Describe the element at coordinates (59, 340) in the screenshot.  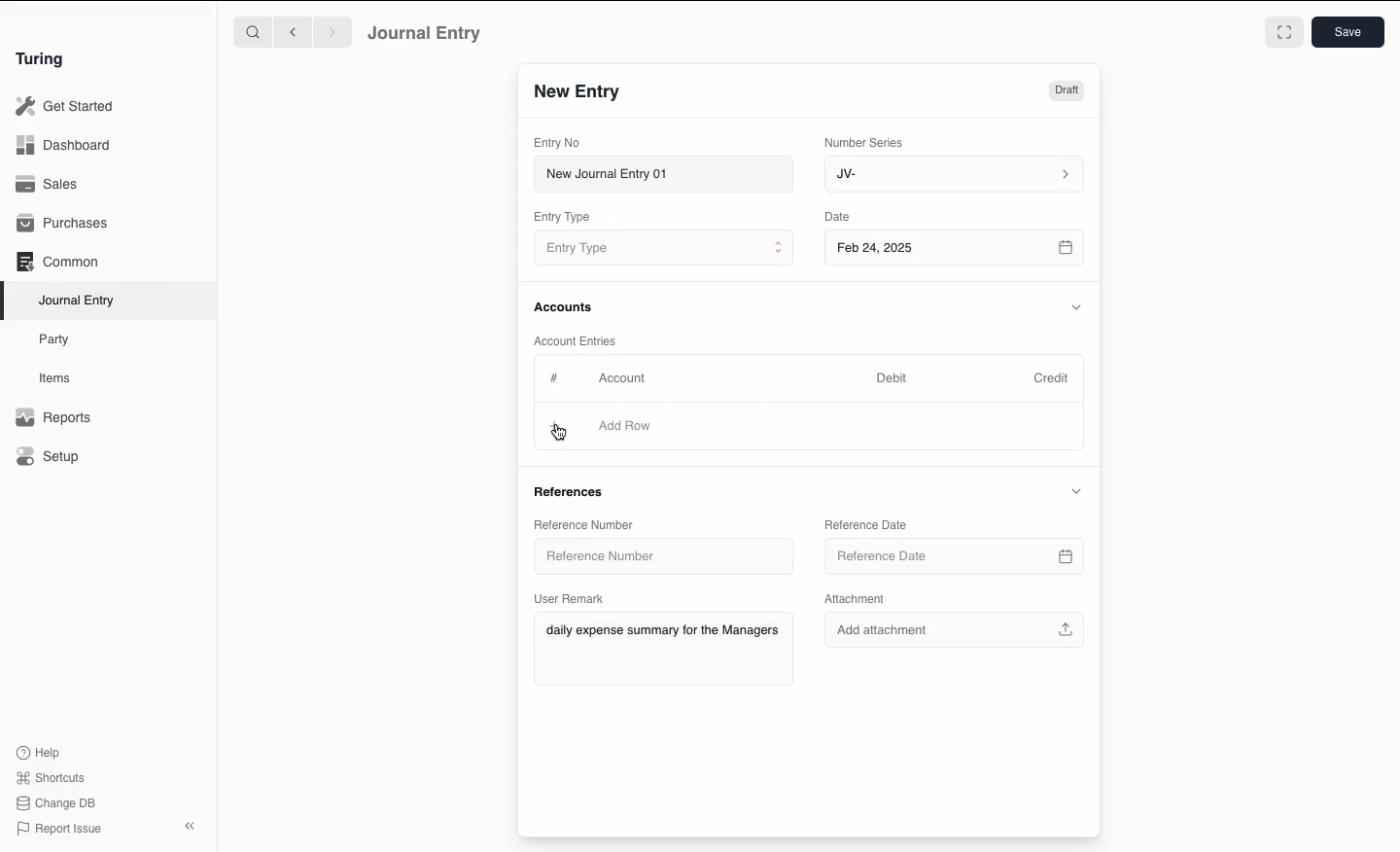
I see `Party` at that location.